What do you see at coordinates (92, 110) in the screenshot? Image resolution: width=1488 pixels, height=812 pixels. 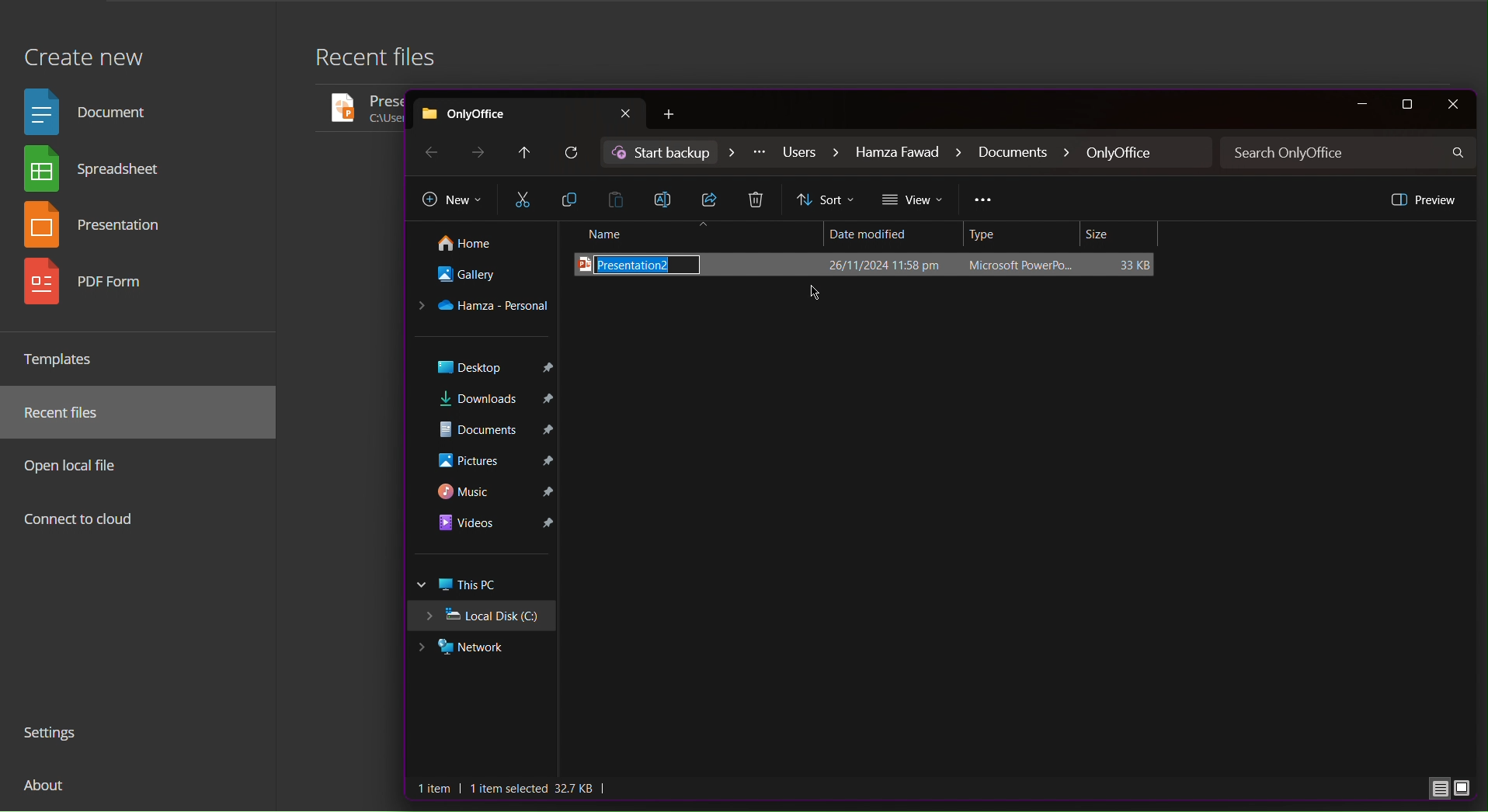 I see `Document` at bounding box center [92, 110].